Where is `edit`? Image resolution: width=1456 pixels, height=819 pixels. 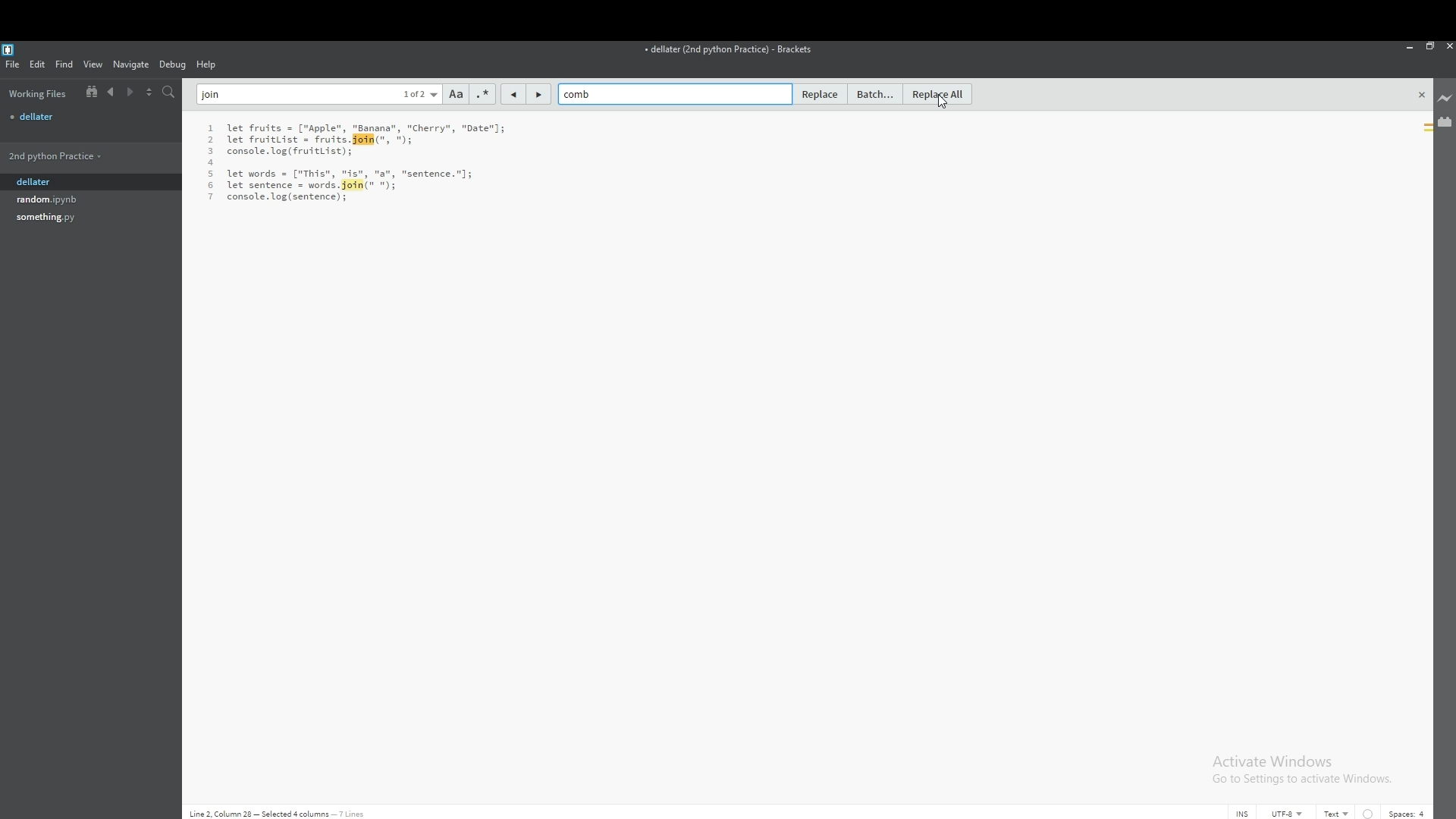
edit is located at coordinates (38, 64).